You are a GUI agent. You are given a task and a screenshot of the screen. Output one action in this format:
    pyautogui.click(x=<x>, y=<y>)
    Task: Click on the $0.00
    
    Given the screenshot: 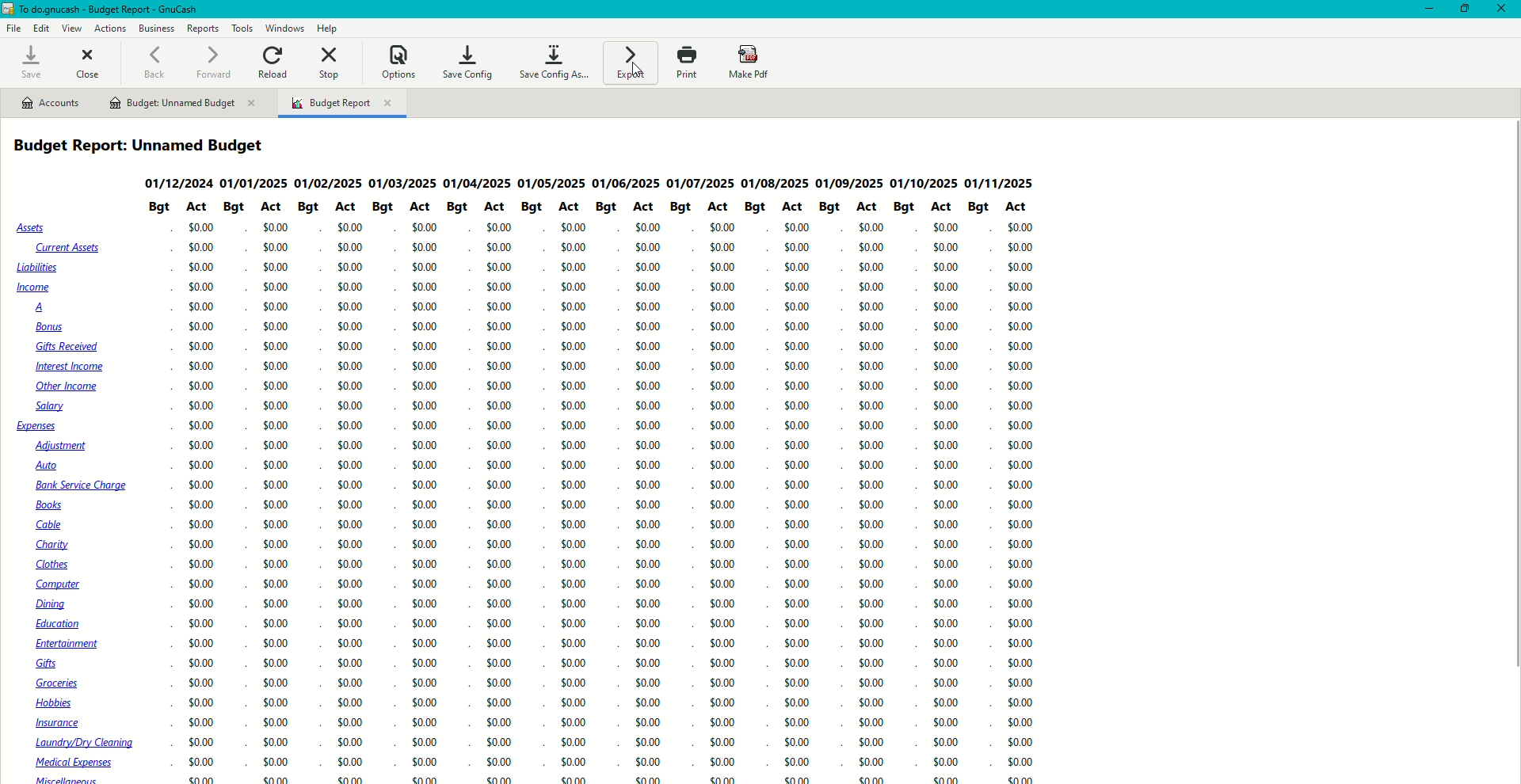 What is the action you would take?
    pyautogui.click(x=421, y=227)
    